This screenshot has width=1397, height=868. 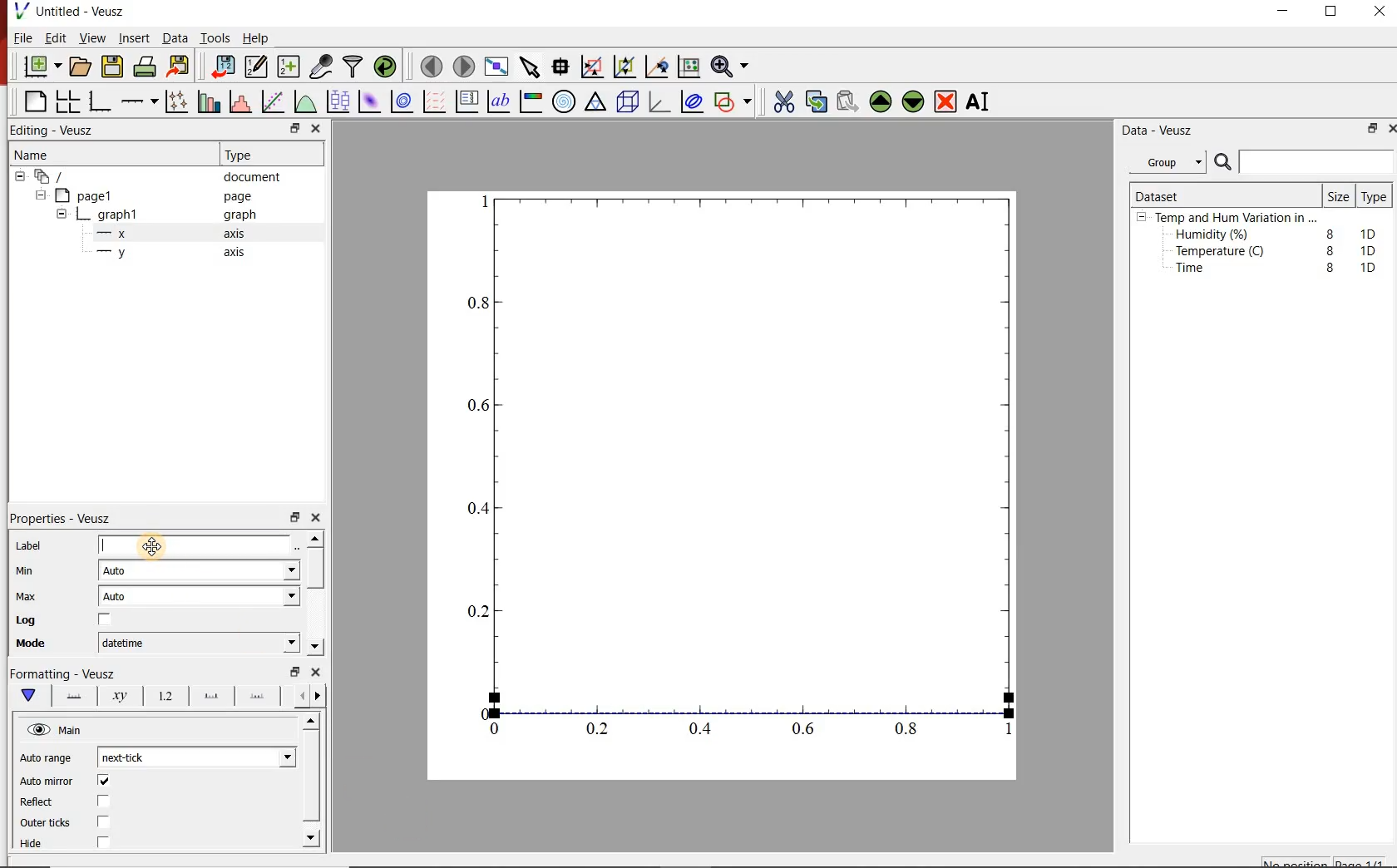 I want to click on plot a function, so click(x=307, y=104).